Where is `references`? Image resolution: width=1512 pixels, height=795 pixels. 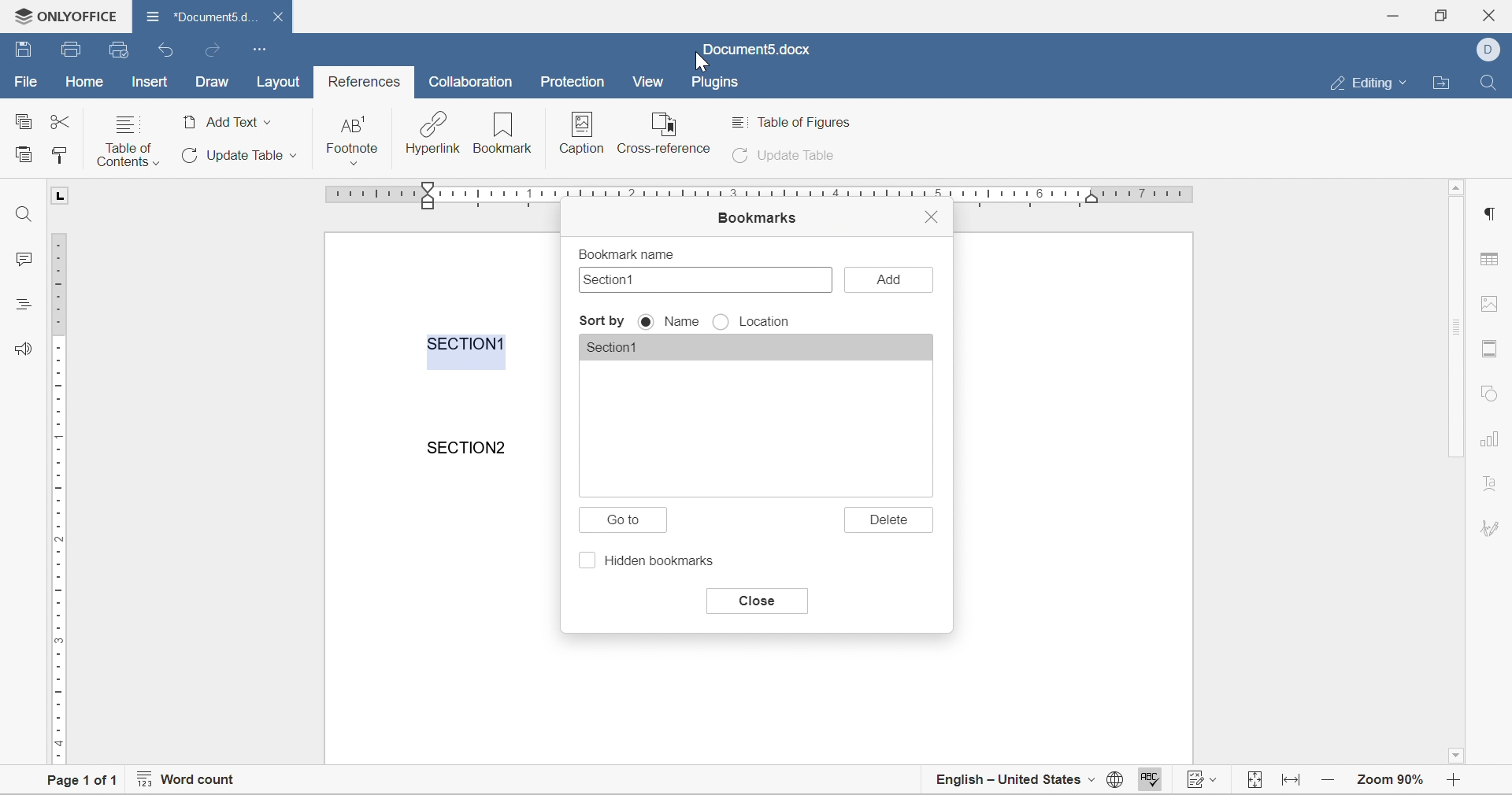
references is located at coordinates (365, 82).